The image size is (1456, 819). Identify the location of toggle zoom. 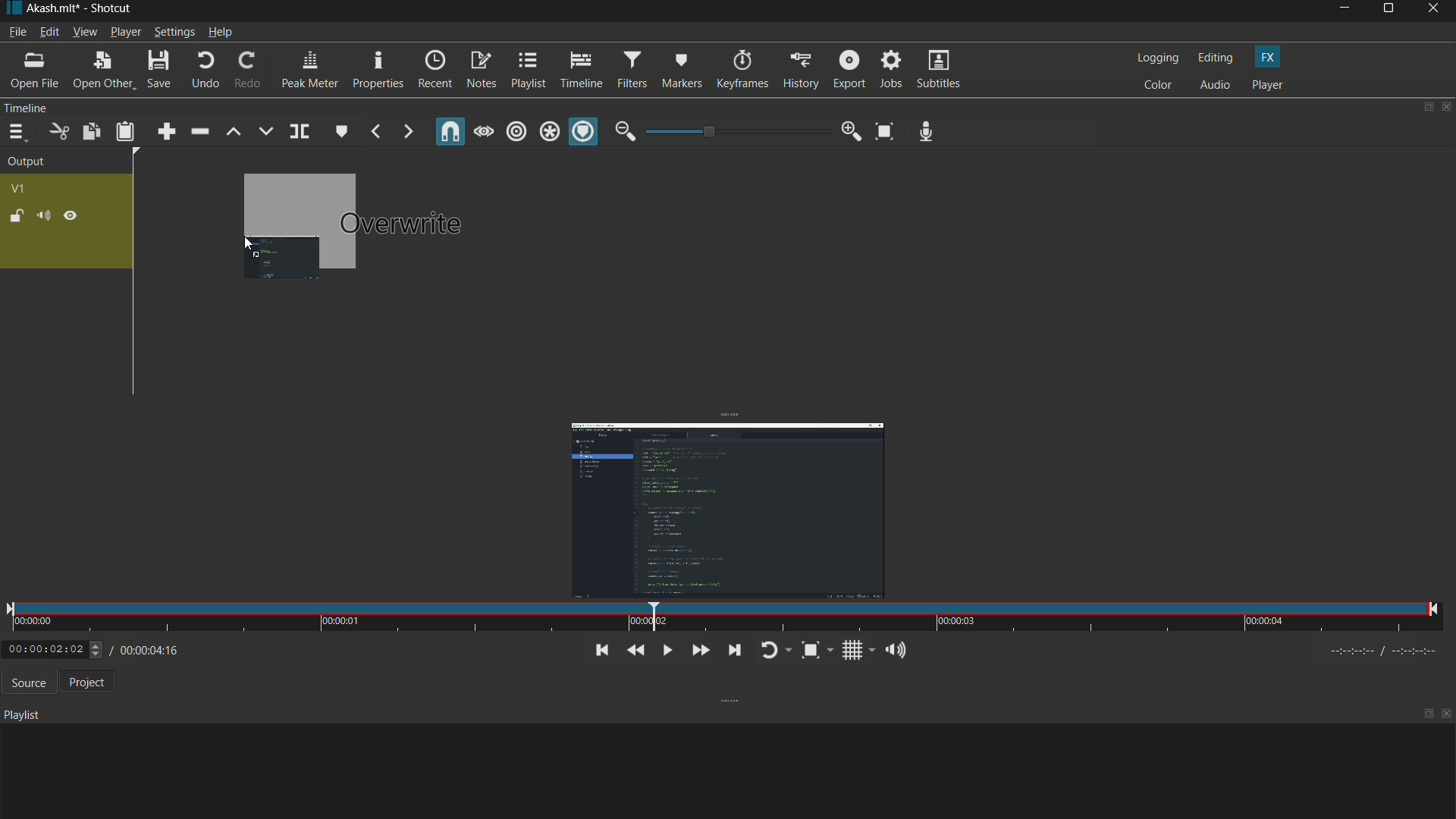
(816, 650).